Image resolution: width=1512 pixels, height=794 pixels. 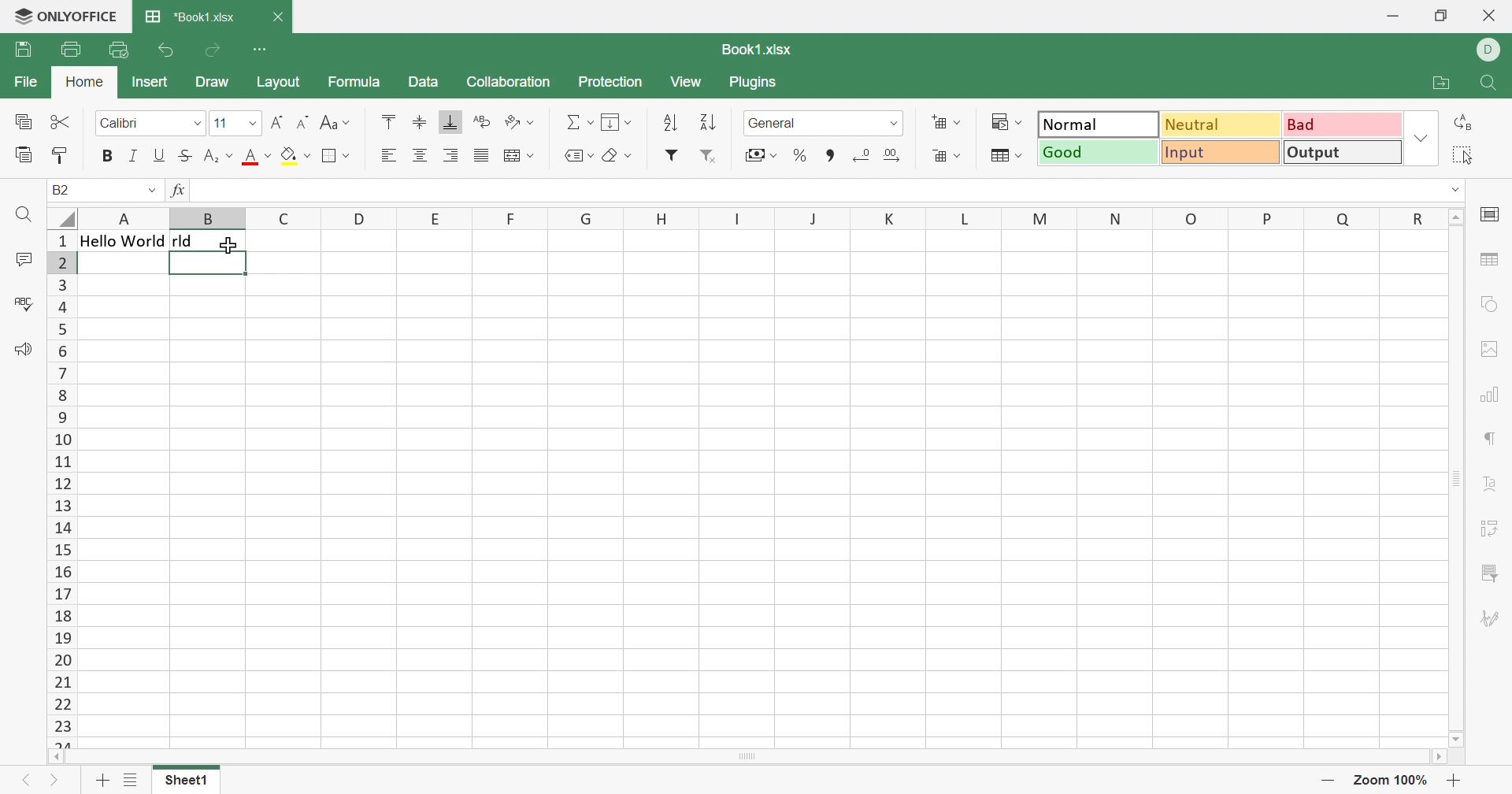 What do you see at coordinates (184, 784) in the screenshot?
I see `Sheet1` at bounding box center [184, 784].